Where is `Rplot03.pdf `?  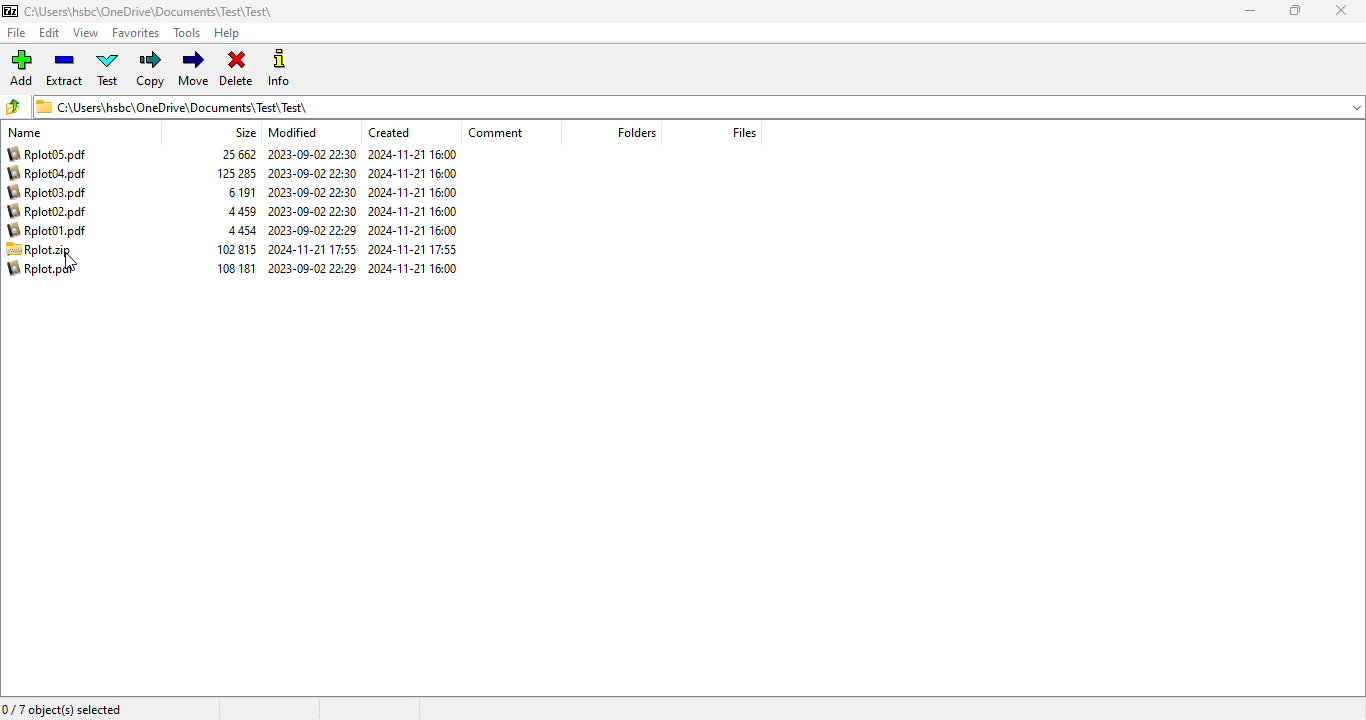 Rplot03.pdf  is located at coordinates (50, 191).